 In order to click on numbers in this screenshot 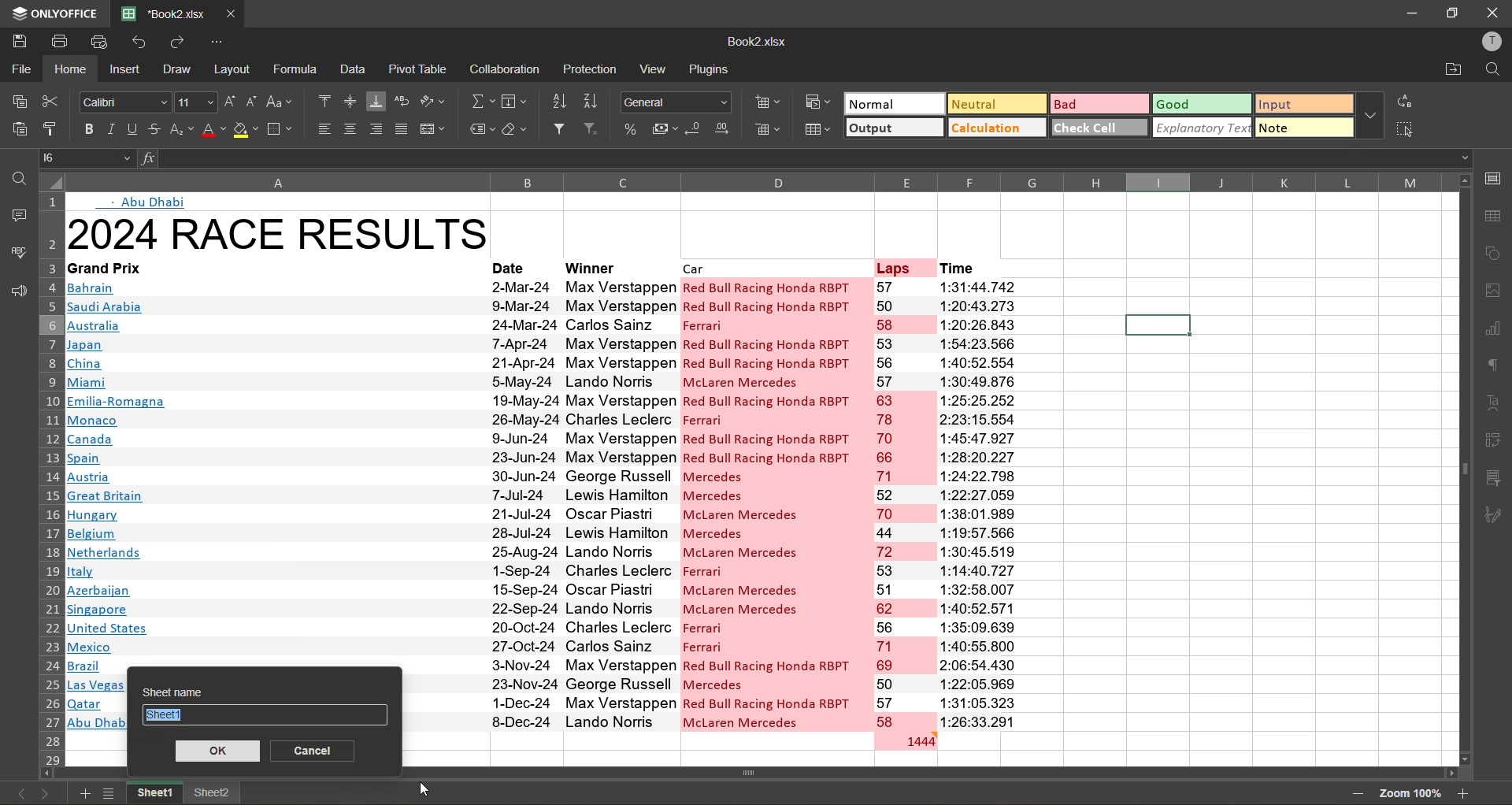, I will do `click(903, 503)`.